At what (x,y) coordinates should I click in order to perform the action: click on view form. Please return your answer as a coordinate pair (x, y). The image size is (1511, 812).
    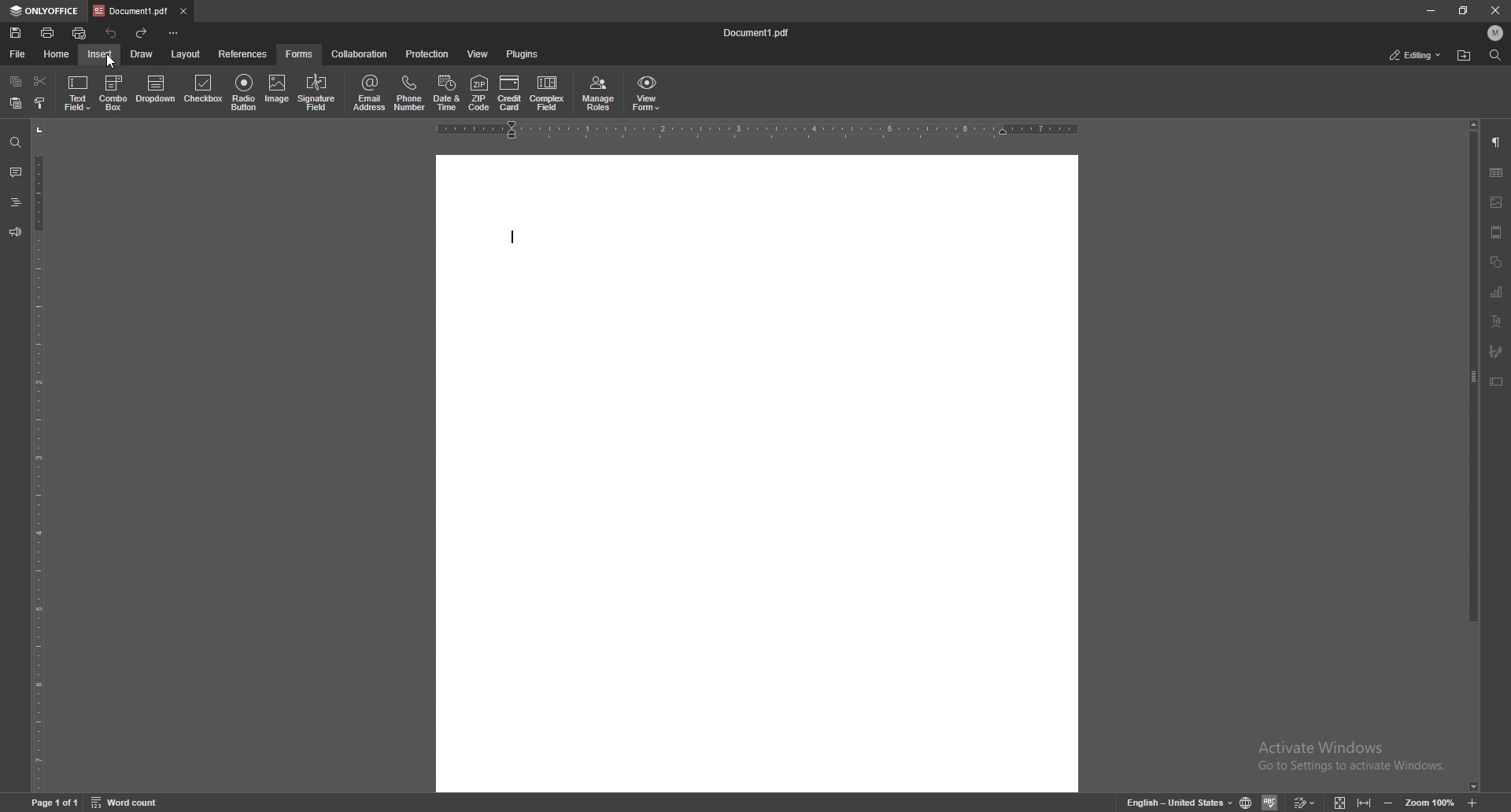
    Looking at the image, I should click on (647, 93).